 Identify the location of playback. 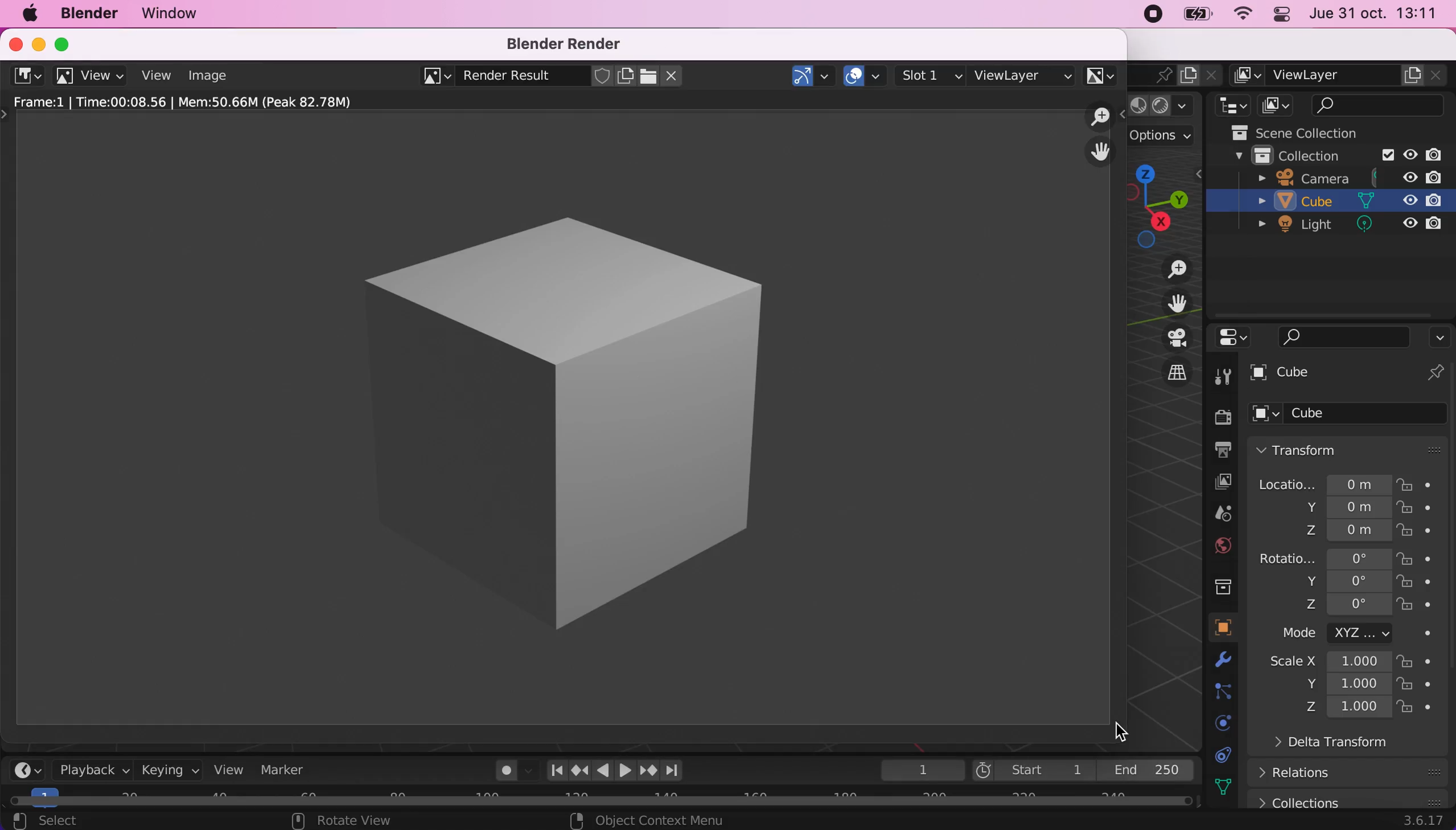
(91, 771).